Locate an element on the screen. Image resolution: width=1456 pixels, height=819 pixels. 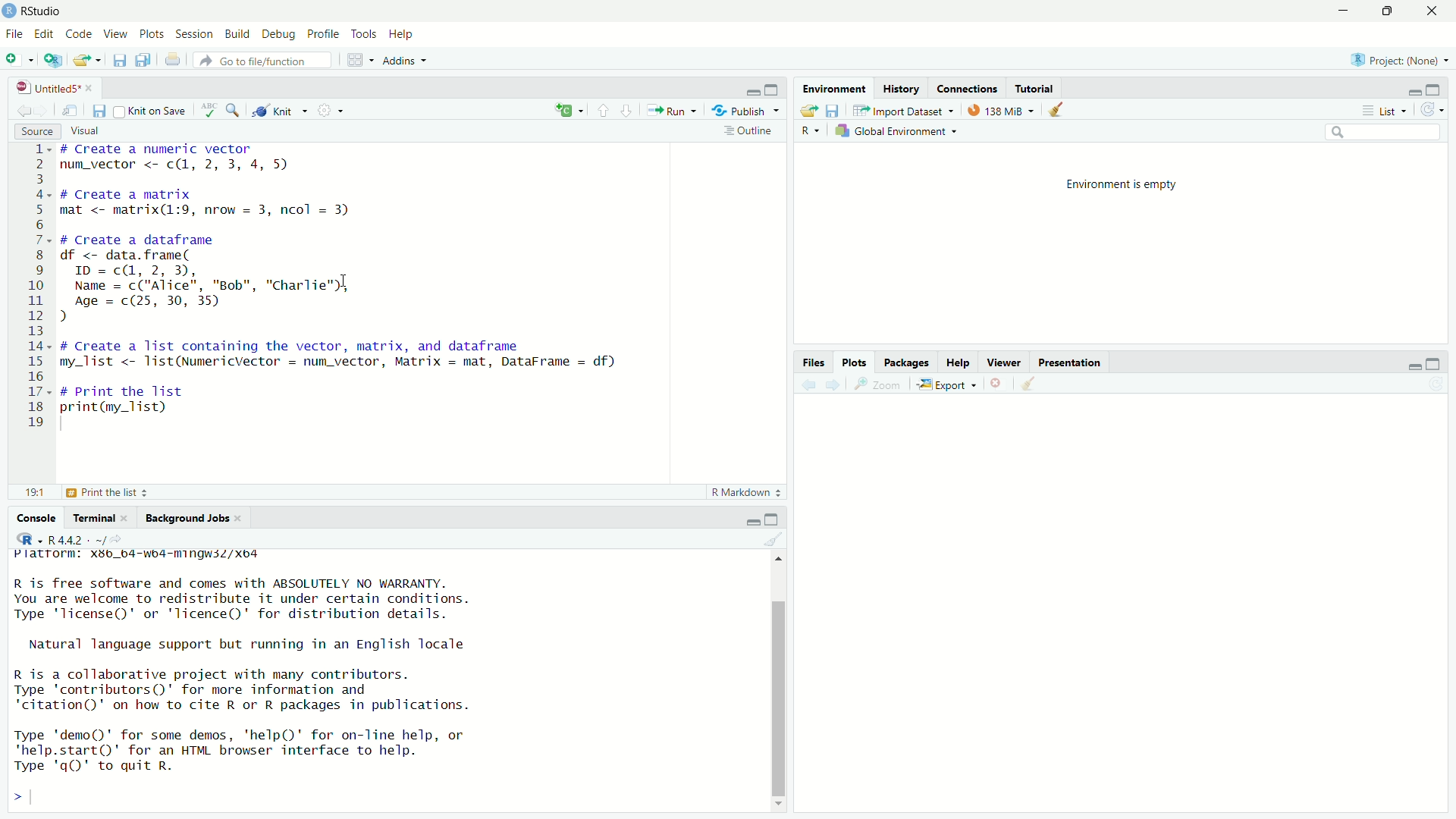
move is located at coordinates (73, 113).